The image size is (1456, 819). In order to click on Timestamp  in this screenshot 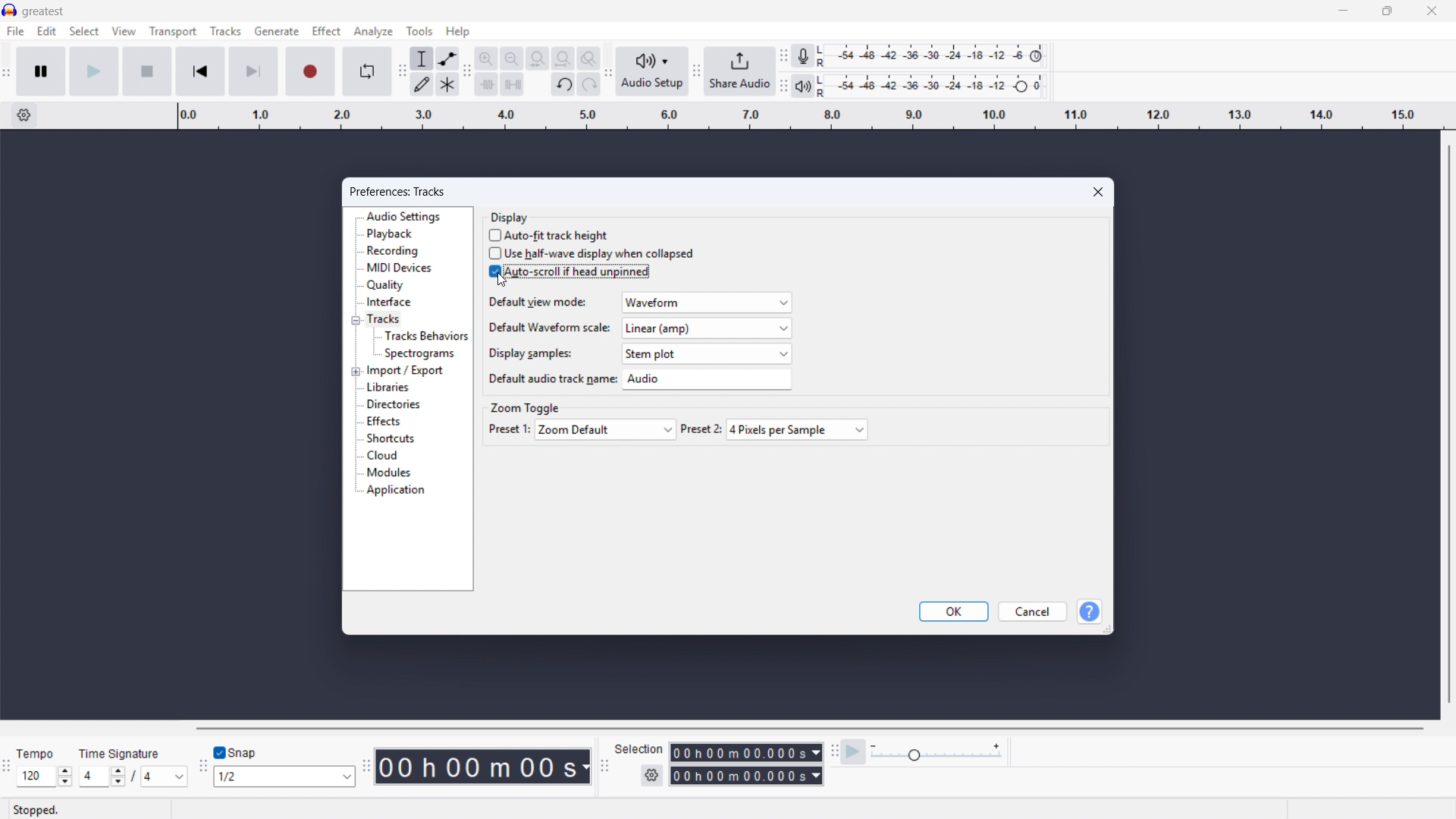, I will do `click(484, 767)`.